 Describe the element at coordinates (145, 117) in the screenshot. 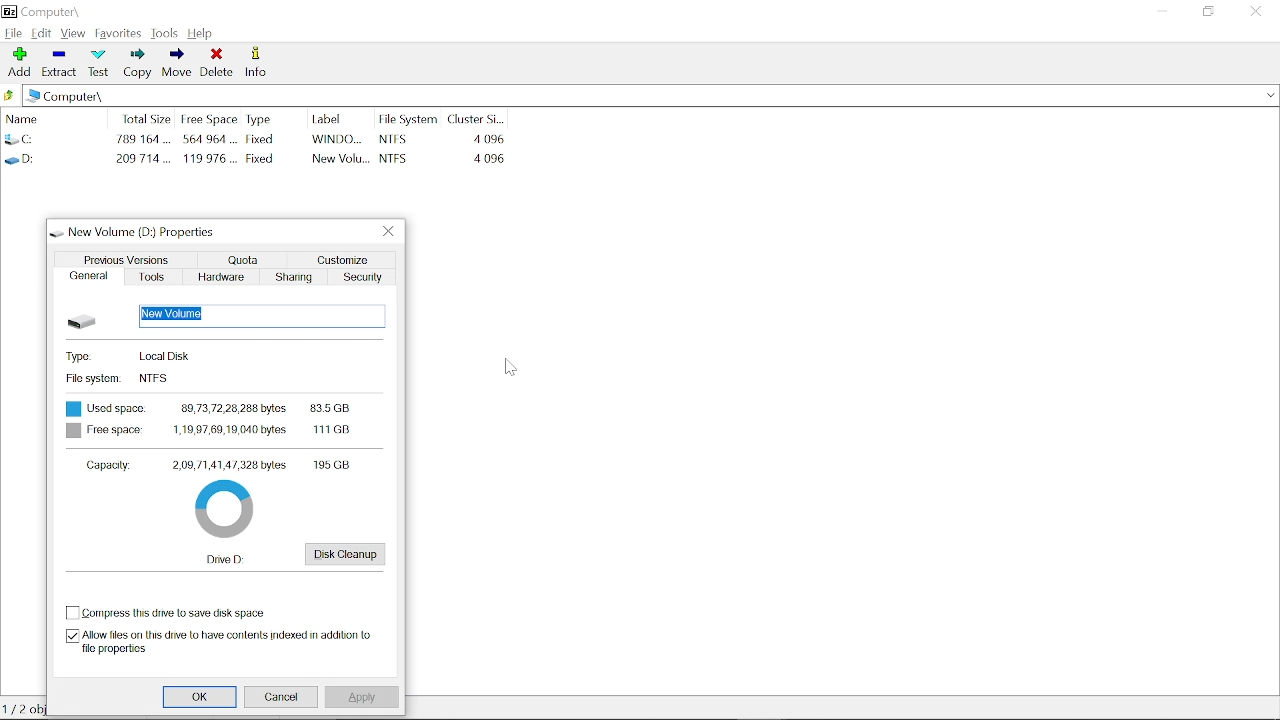

I see `total size` at that location.